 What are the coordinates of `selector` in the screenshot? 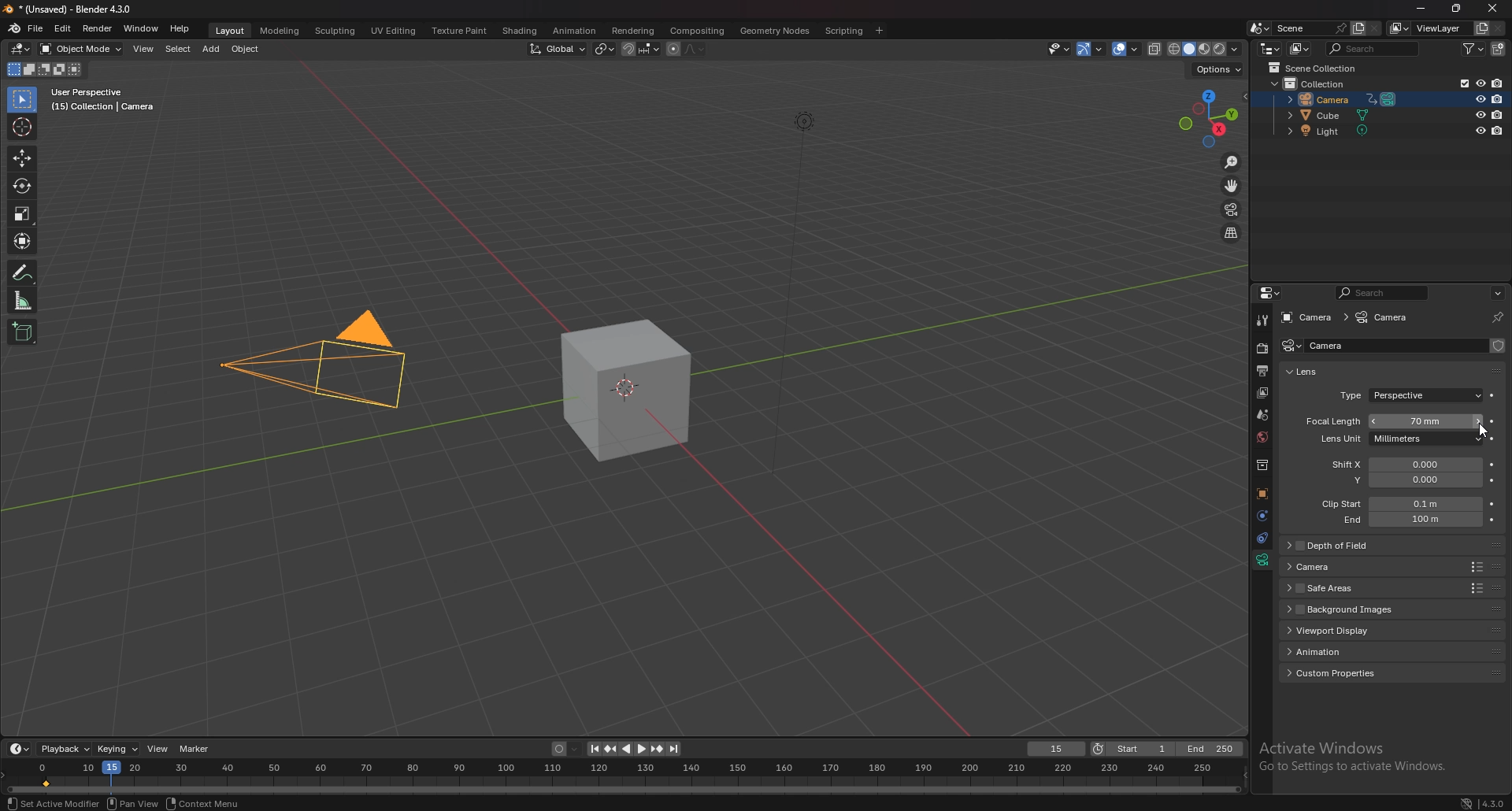 It's located at (22, 100).